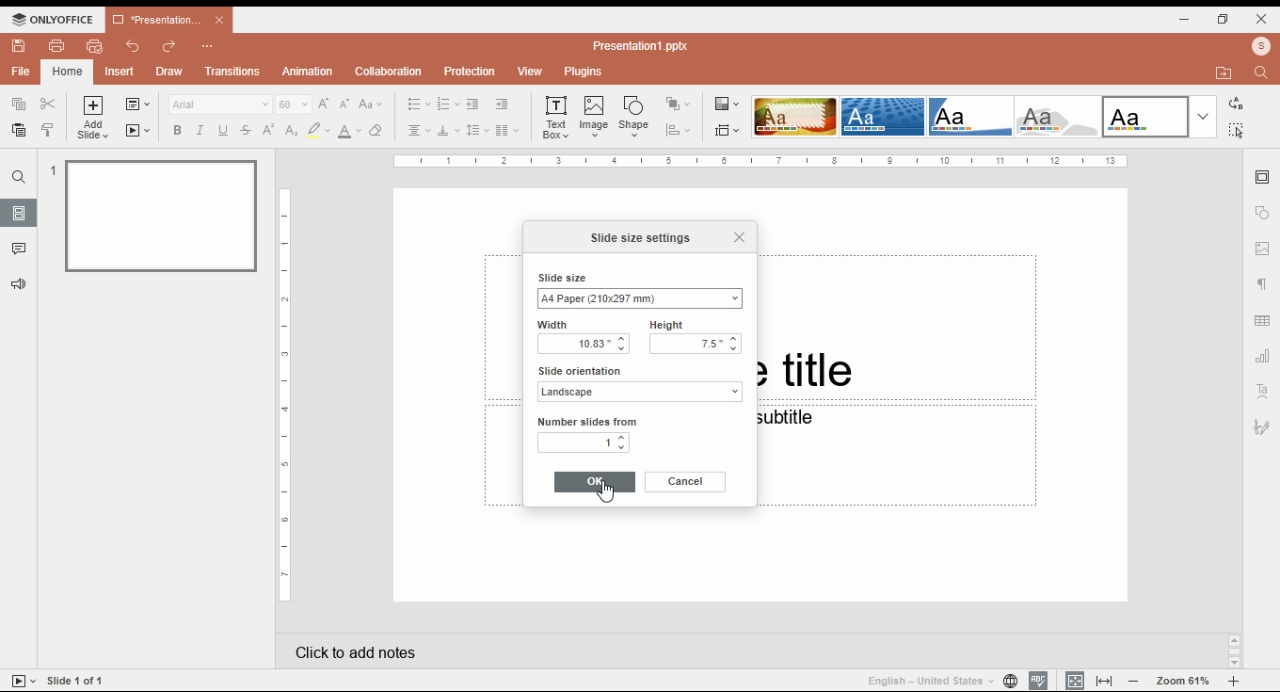 This screenshot has width=1280, height=692. I want to click on ONLYOFFICE, so click(53, 19).